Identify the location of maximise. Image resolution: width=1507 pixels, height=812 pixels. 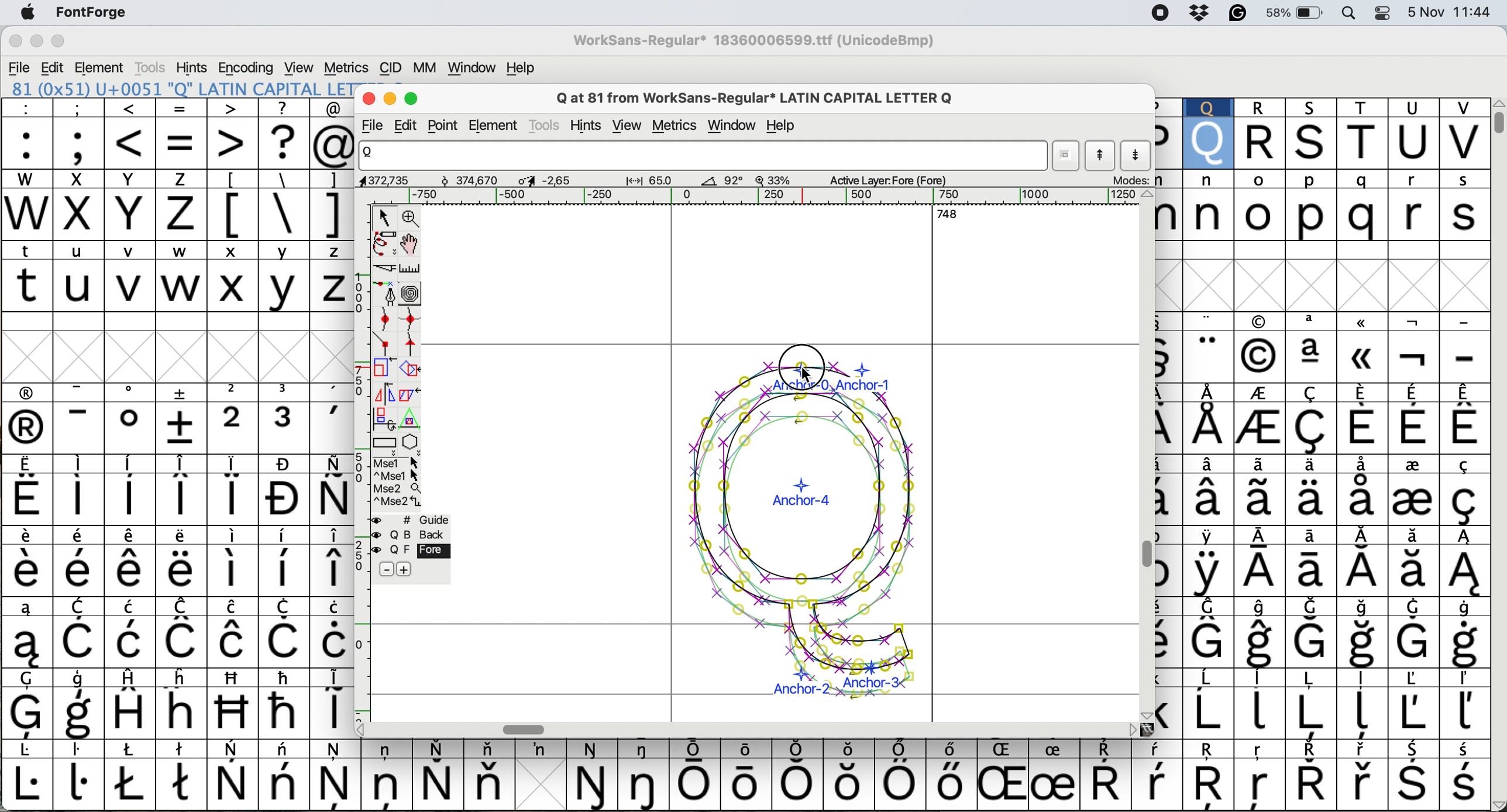
(59, 40).